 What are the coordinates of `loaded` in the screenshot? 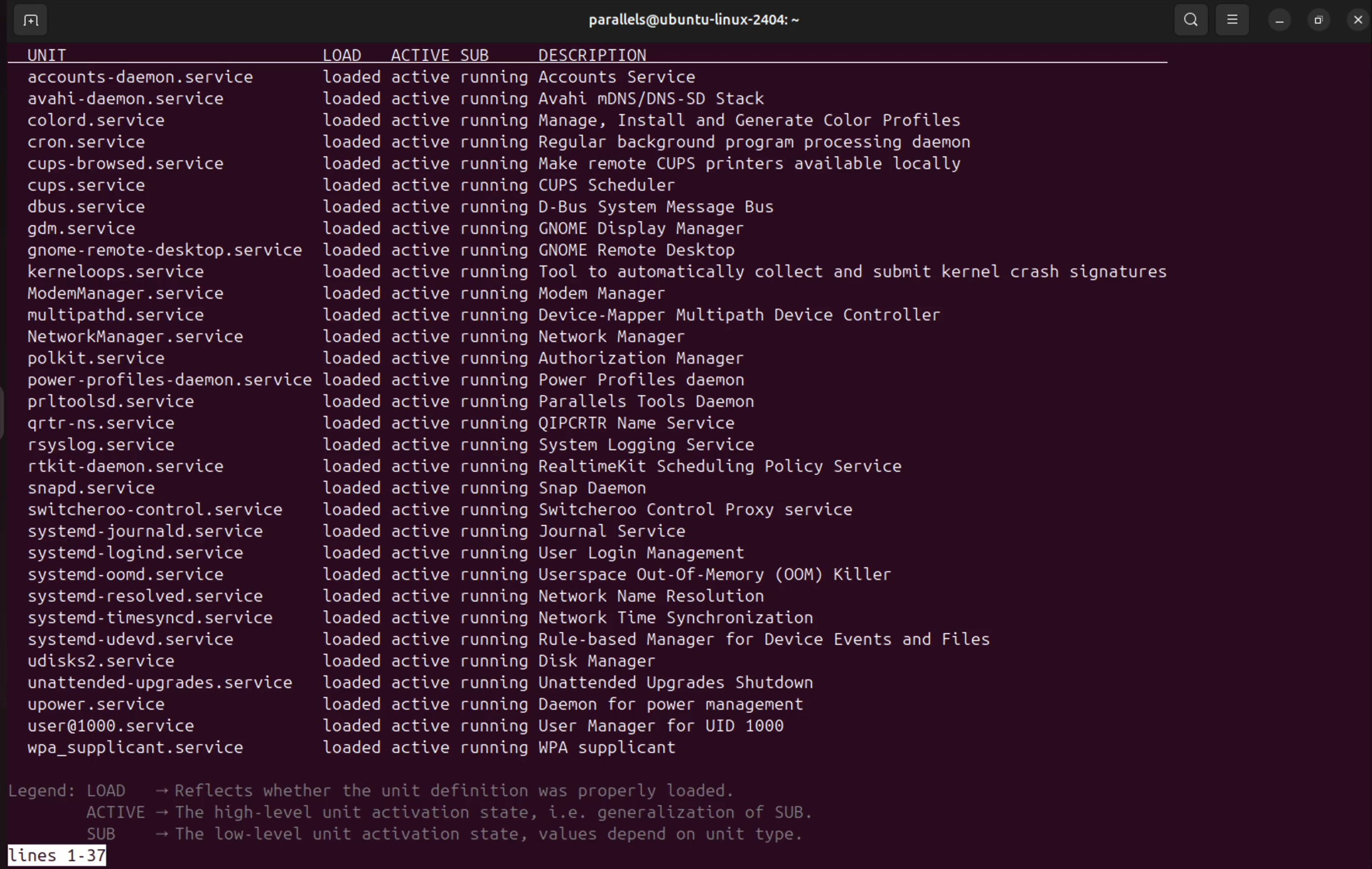 It's located at (352, 77).